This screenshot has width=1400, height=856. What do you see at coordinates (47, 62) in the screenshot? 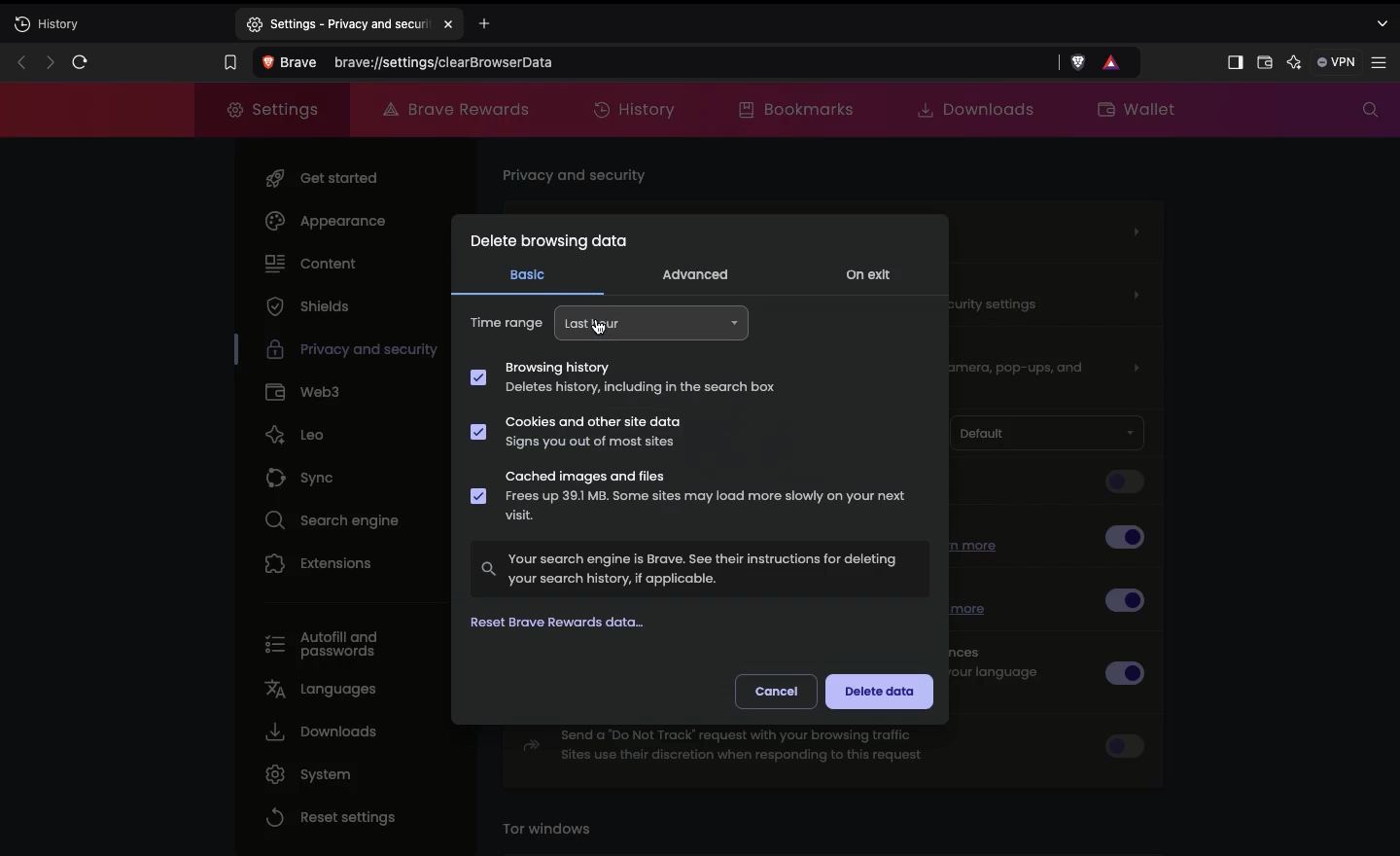
I see `Next page` at bounding box center [47, 62].